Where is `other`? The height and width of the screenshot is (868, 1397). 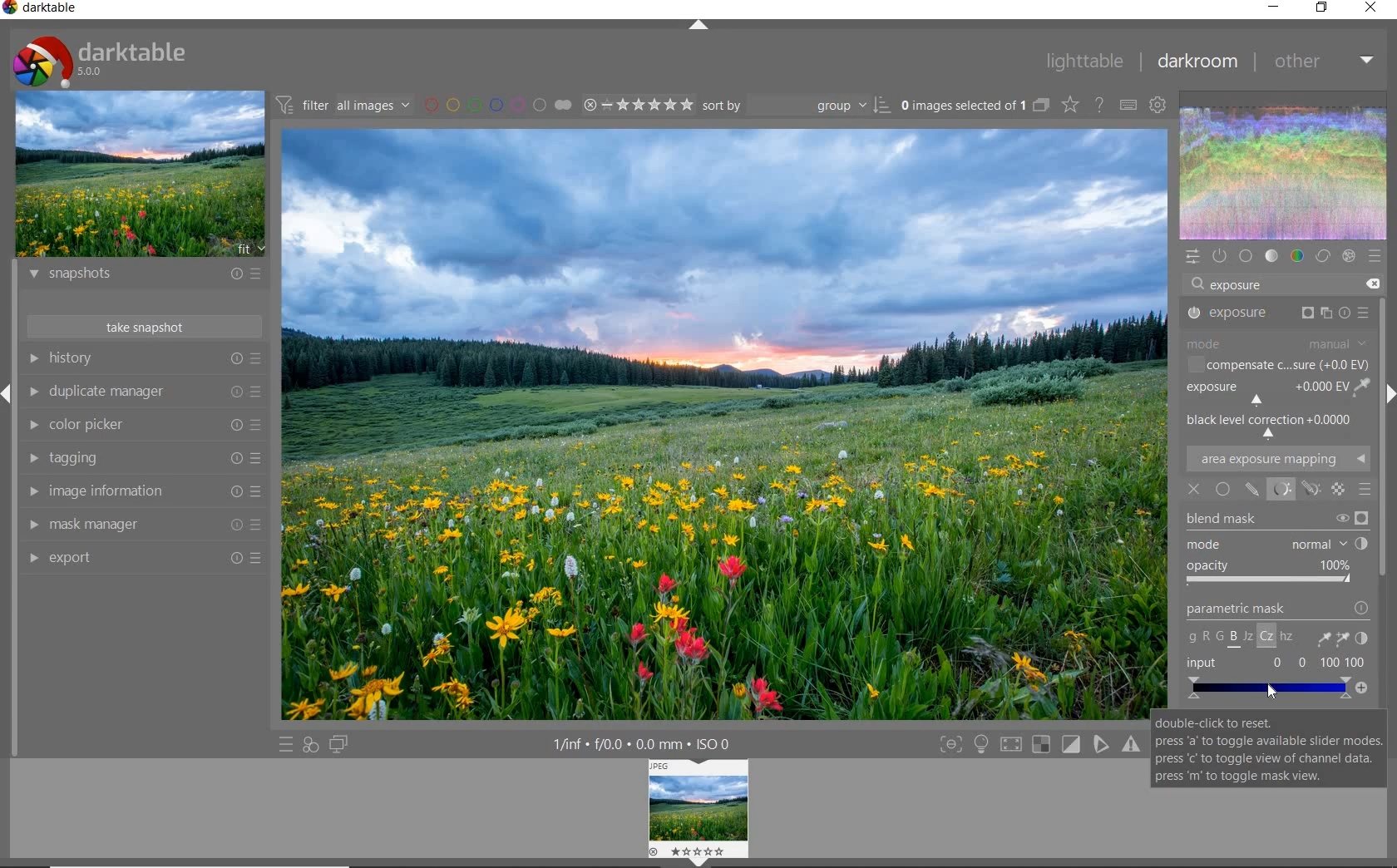 other is located at coordinates (1325, 63).